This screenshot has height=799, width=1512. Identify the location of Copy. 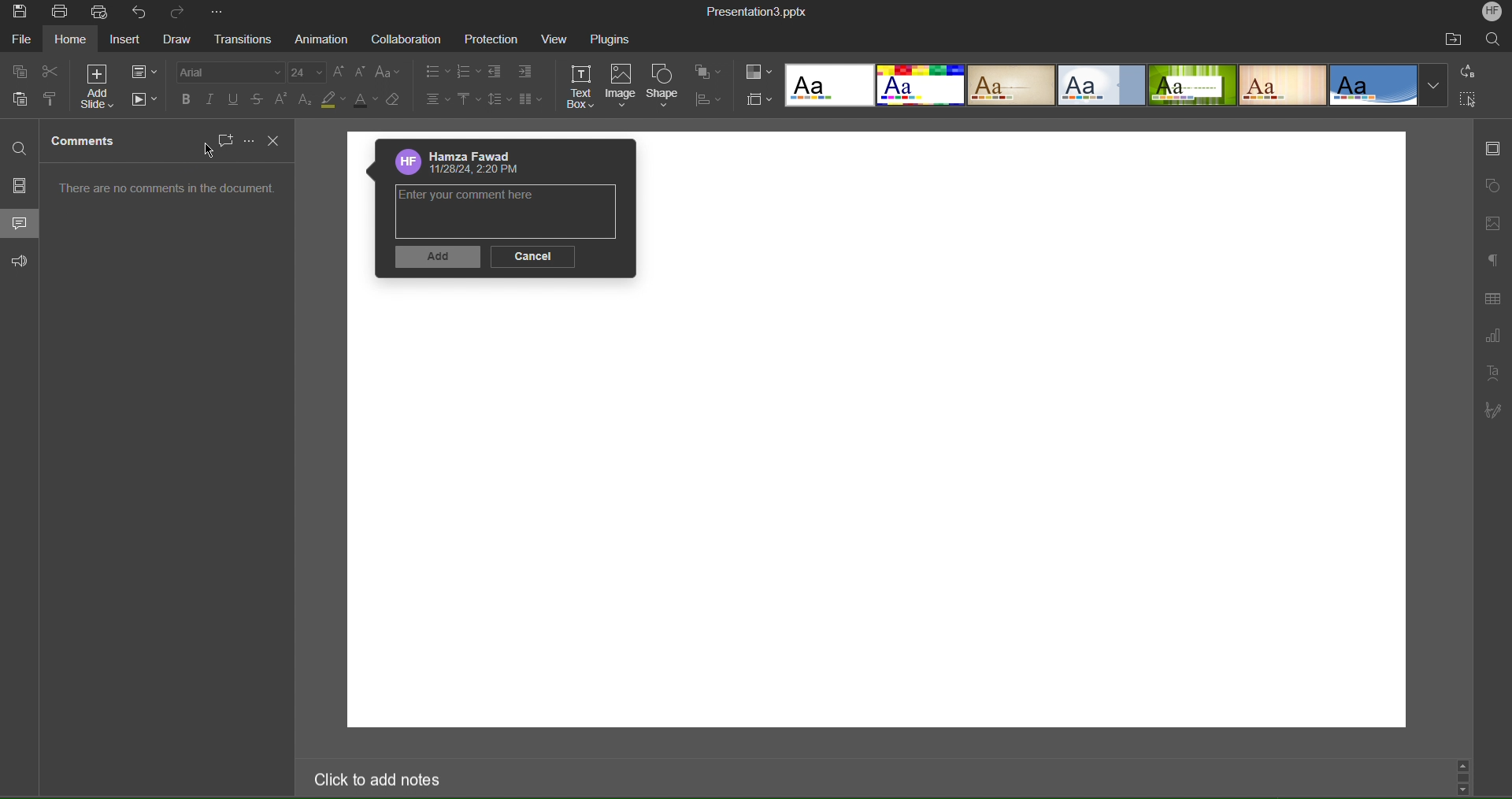
(21, 71).